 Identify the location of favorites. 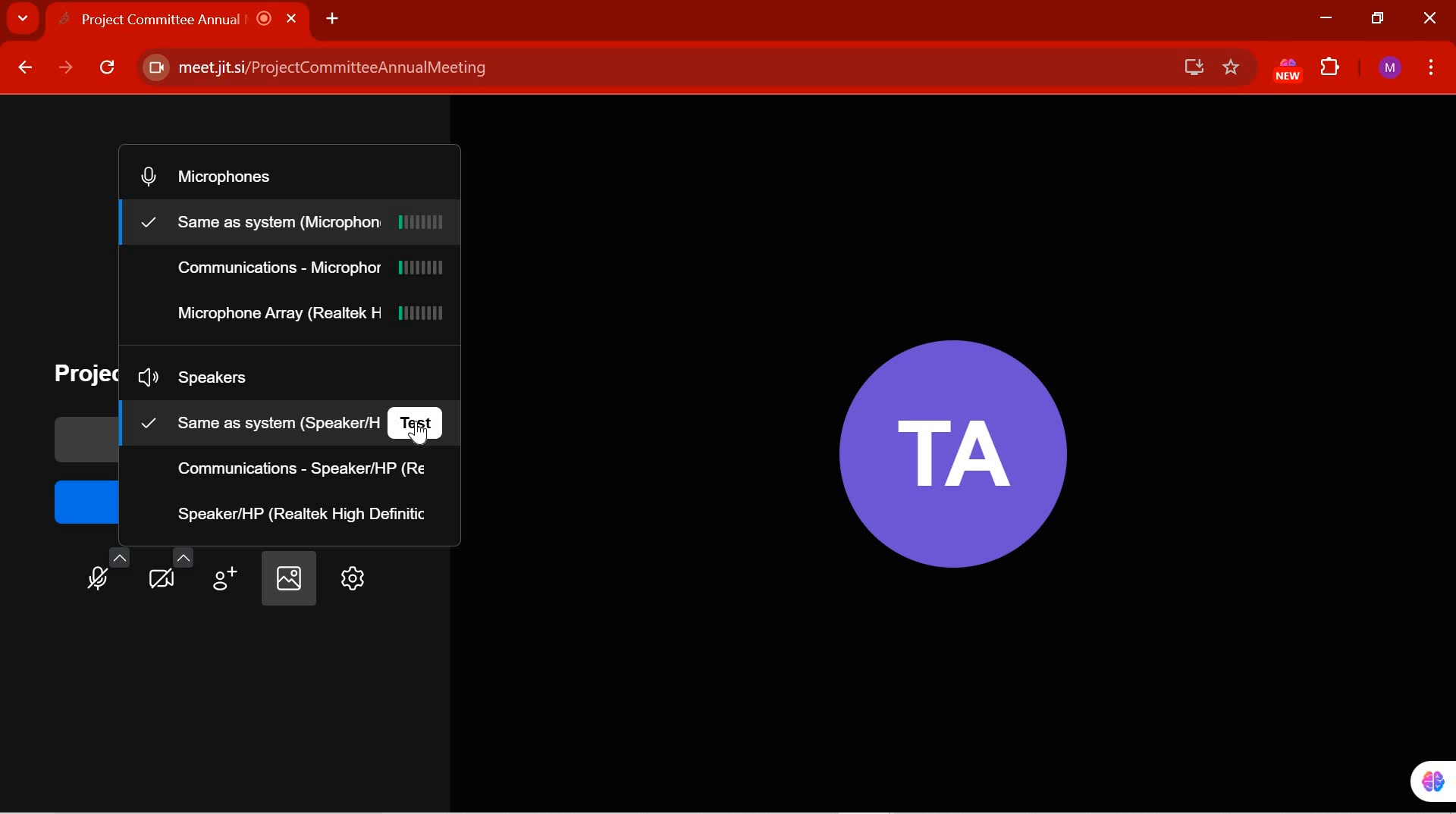
(1232, 68).